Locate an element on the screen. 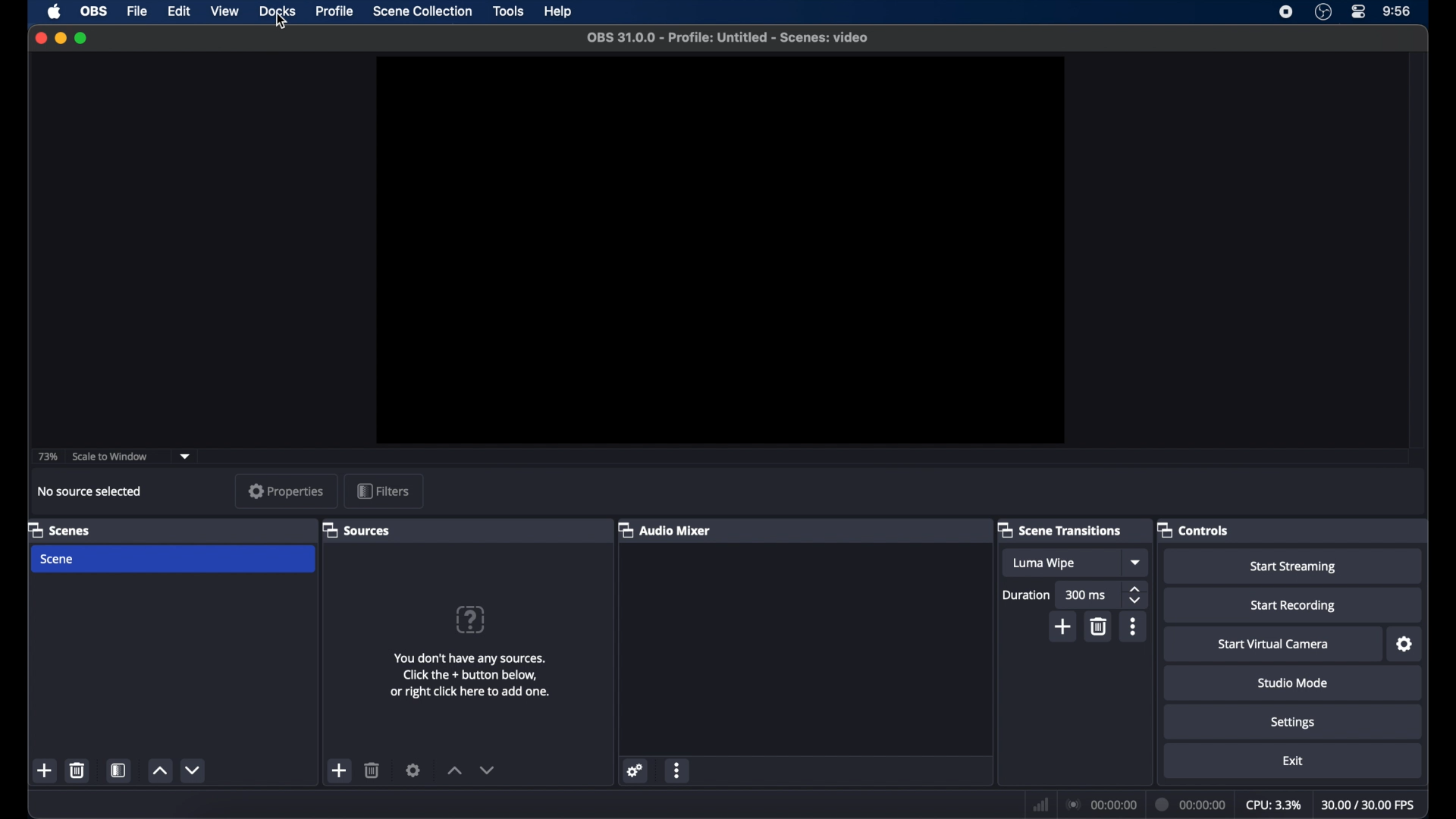 The height and width of the screenshot is (819, 1456). preview is located at coordinates (716, 249).